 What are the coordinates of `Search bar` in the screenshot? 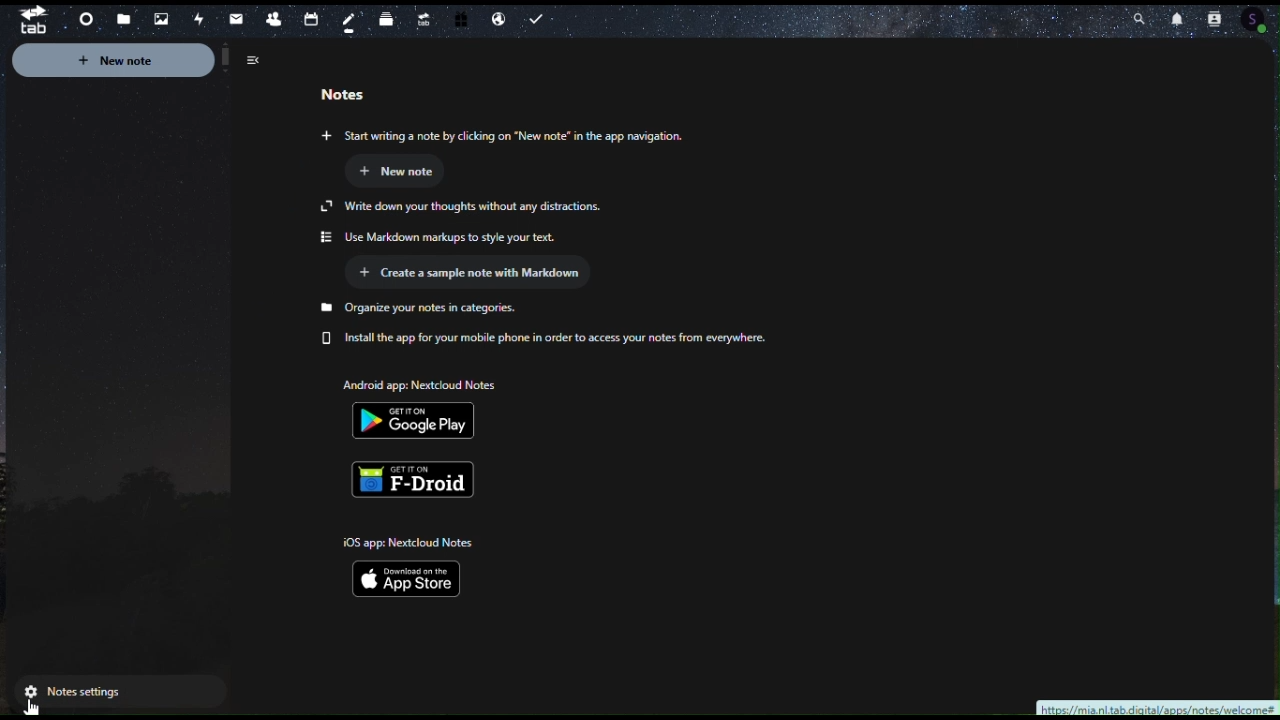 It's located at (1134, 15).